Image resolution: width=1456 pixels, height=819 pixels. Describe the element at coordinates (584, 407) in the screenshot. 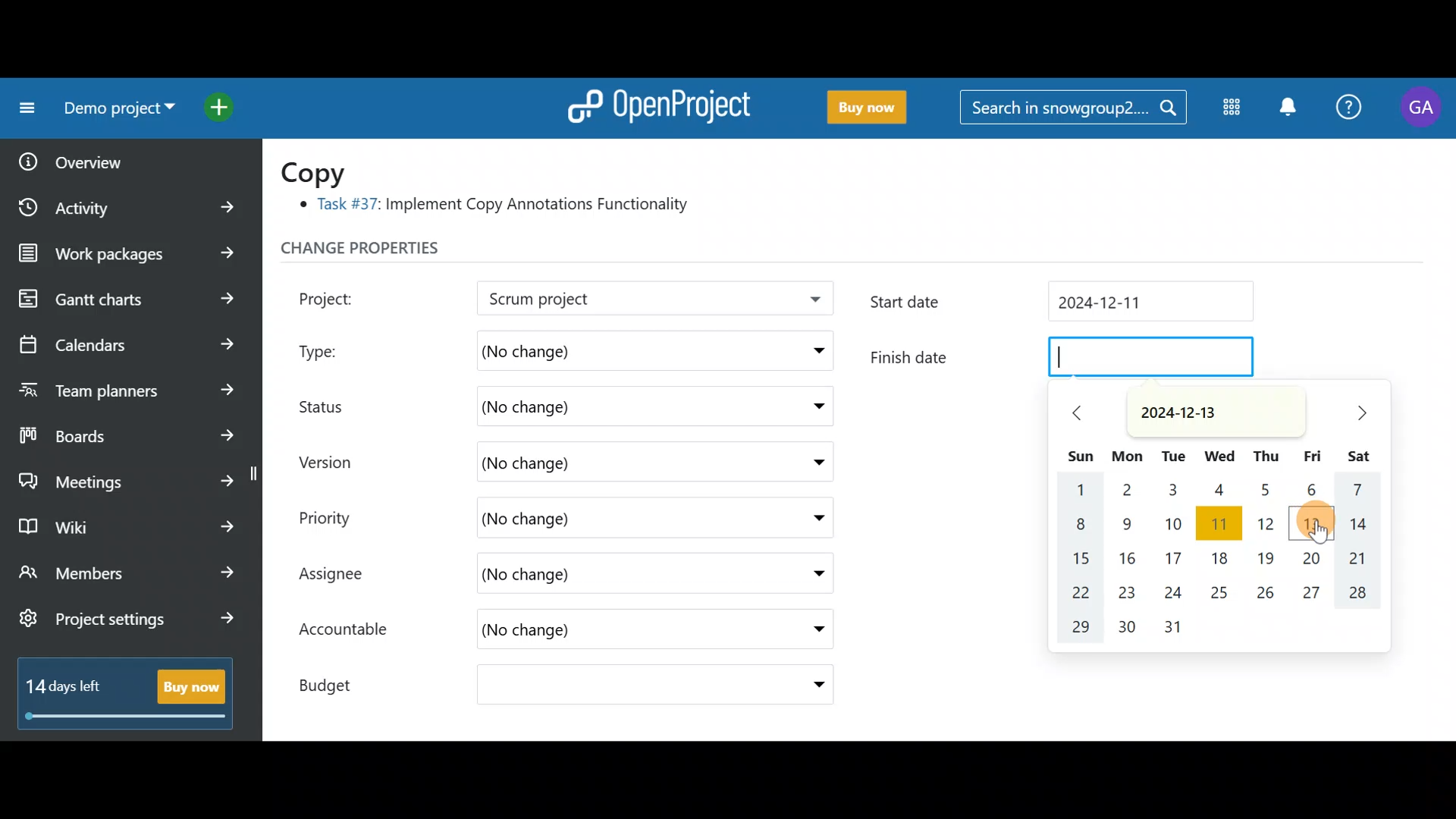

I see `(No change)` at that location.